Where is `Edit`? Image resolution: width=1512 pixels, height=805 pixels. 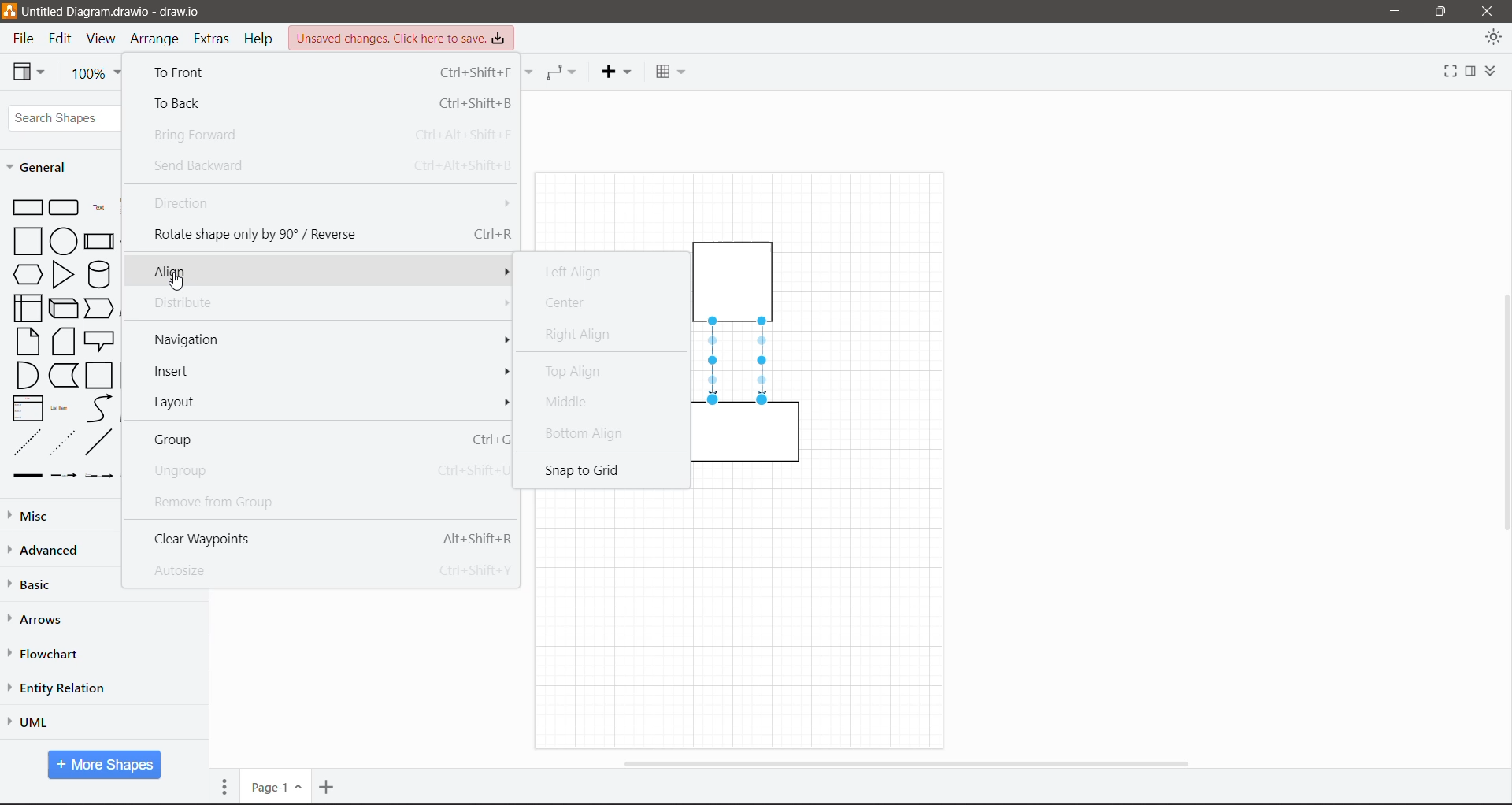 Edit is located at coordinates (62, 39).